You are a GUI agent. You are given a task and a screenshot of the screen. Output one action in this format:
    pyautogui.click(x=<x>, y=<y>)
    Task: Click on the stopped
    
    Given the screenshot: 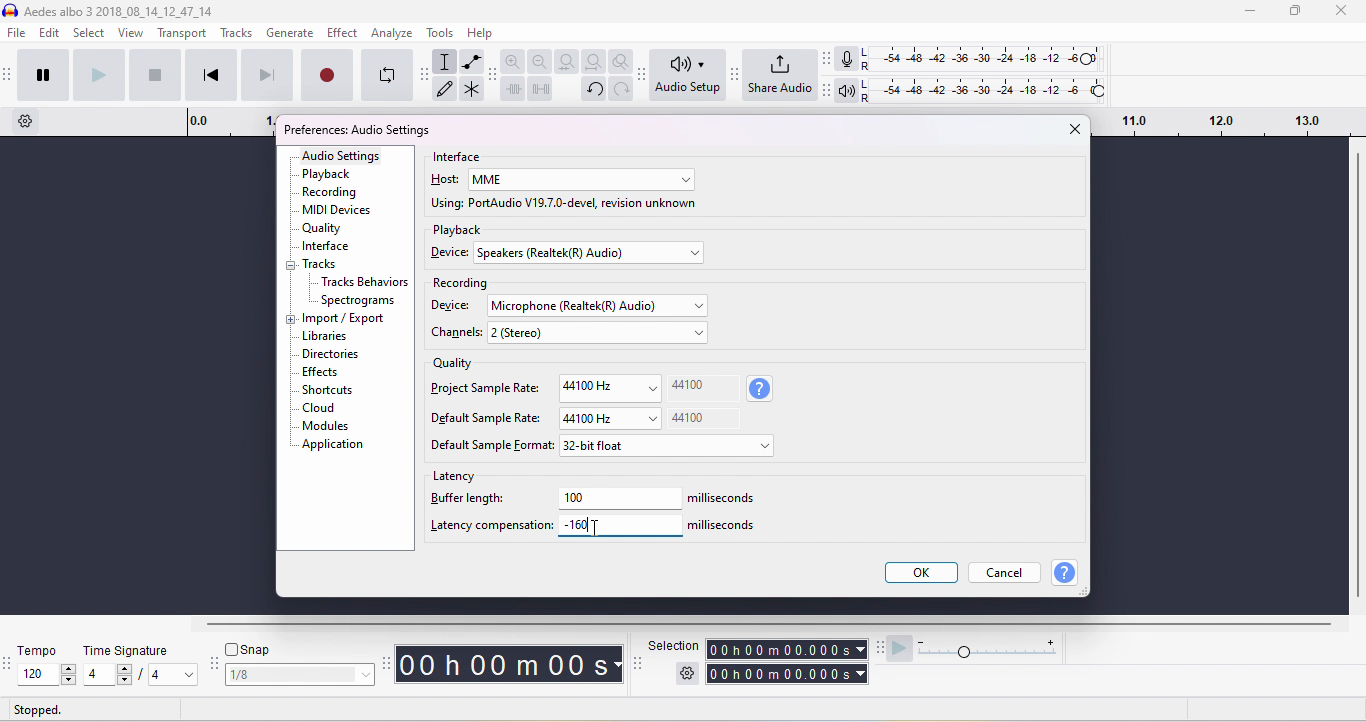 What is the action you would take?
    pyautogui.click(x=39, y=711)
    